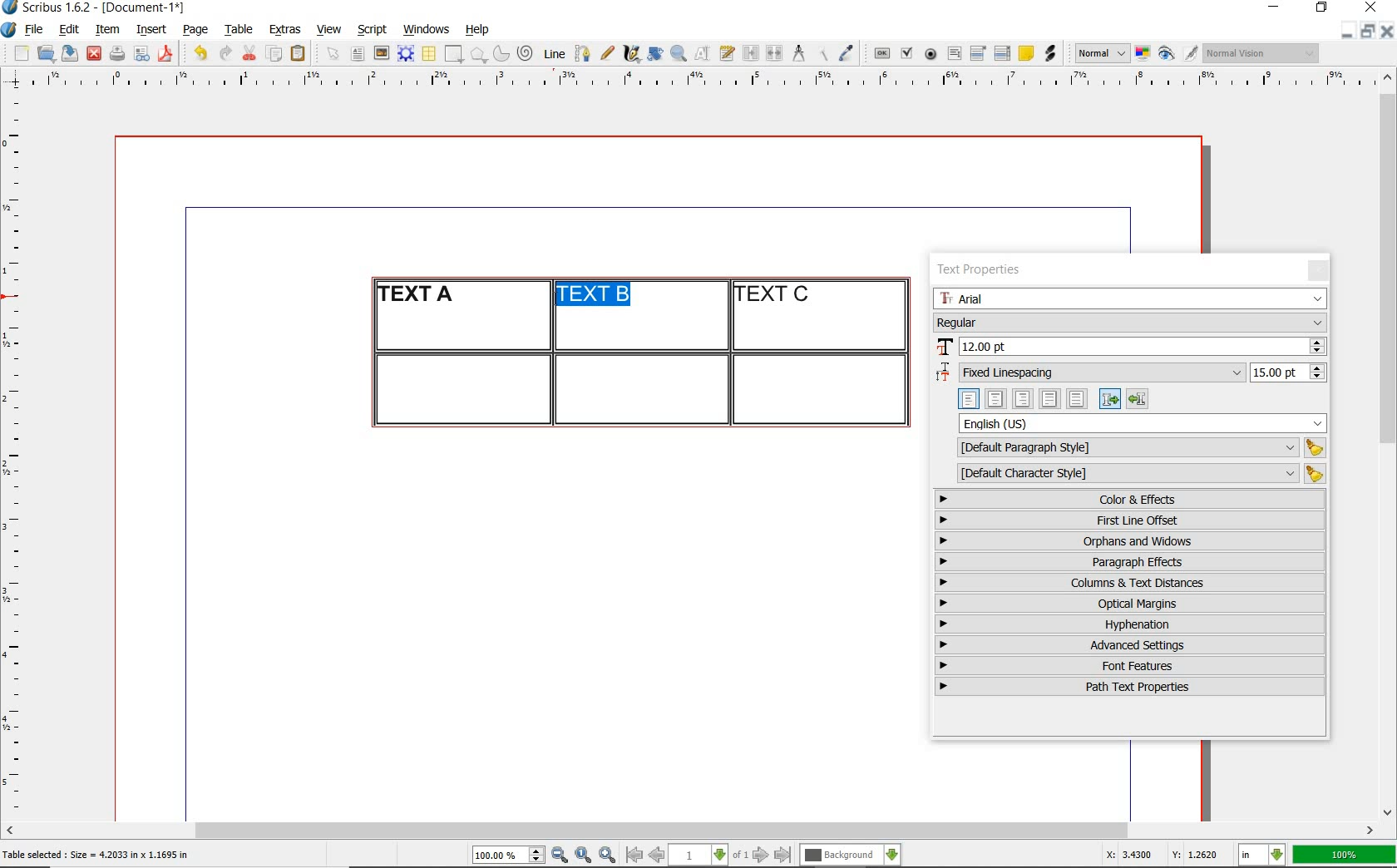 The width and height of the screenshot is (1397, 868). I want to click on default character style, so click(1136, 474).